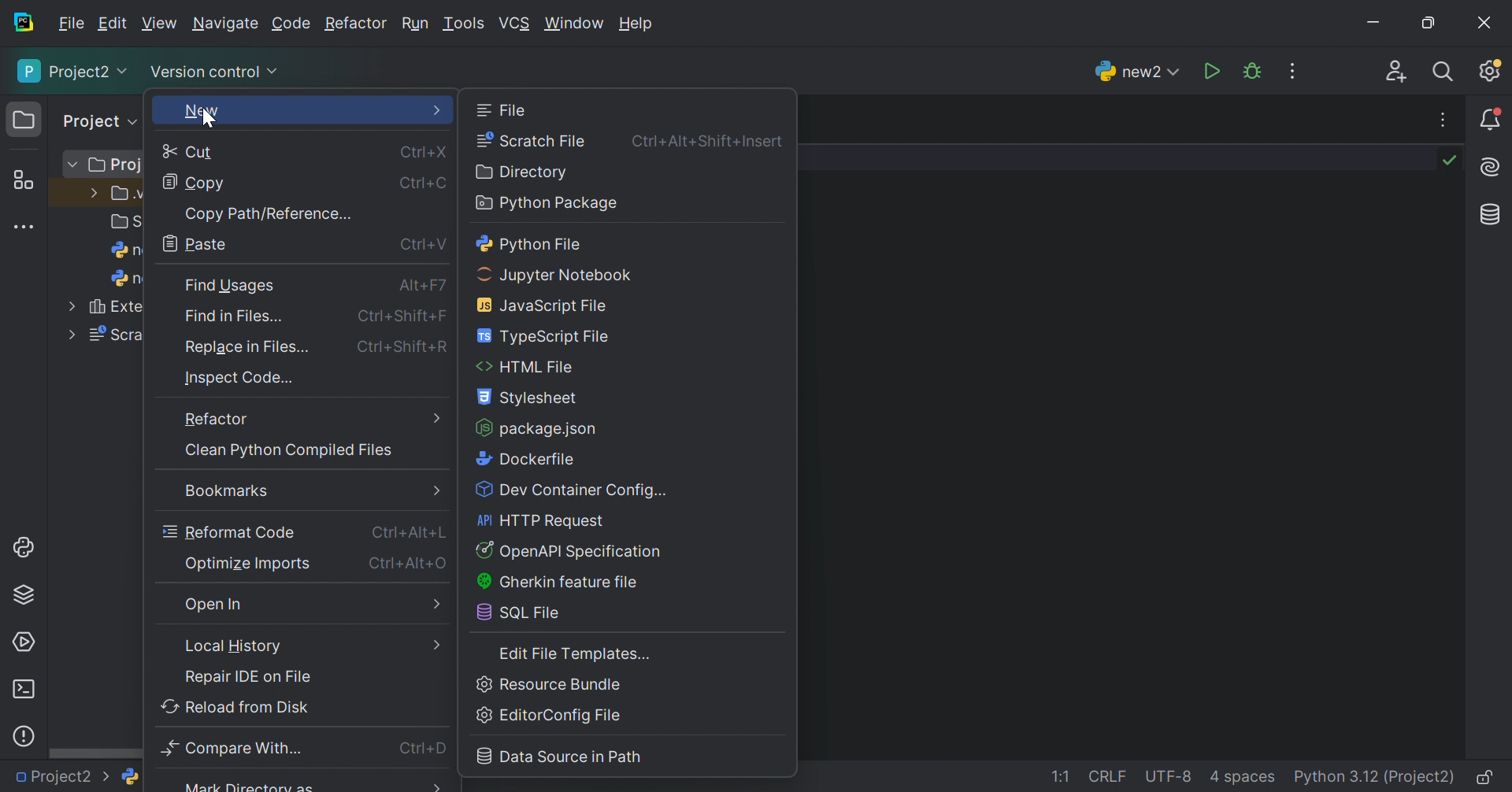  What do you see at coordinates (1061, 778) in the screenshot?
I see `1:1` at bounding box center [1061, 778].